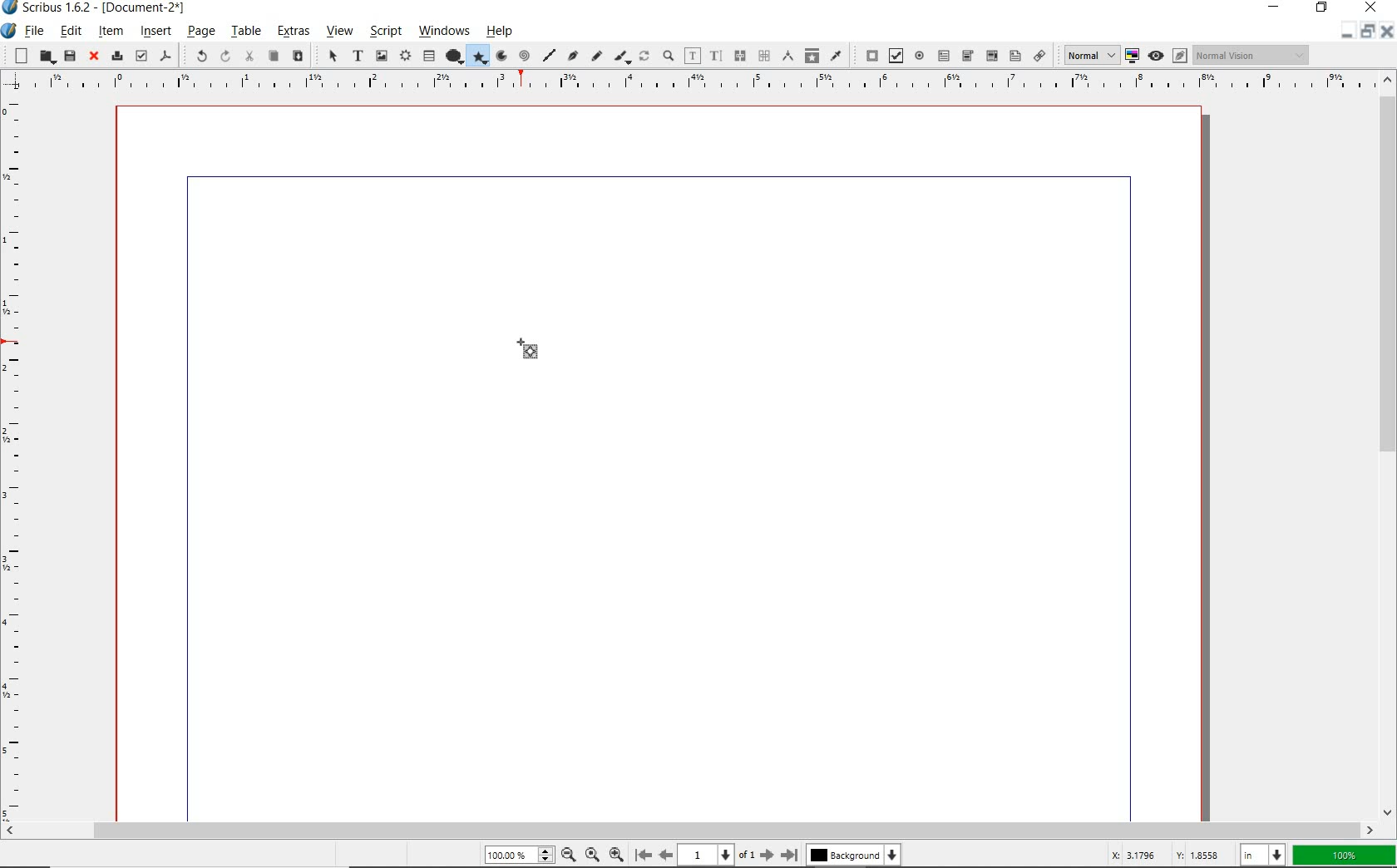  Describe the element at coordinates (1343, 32) in the screenshot. I see `minimise` at that location.